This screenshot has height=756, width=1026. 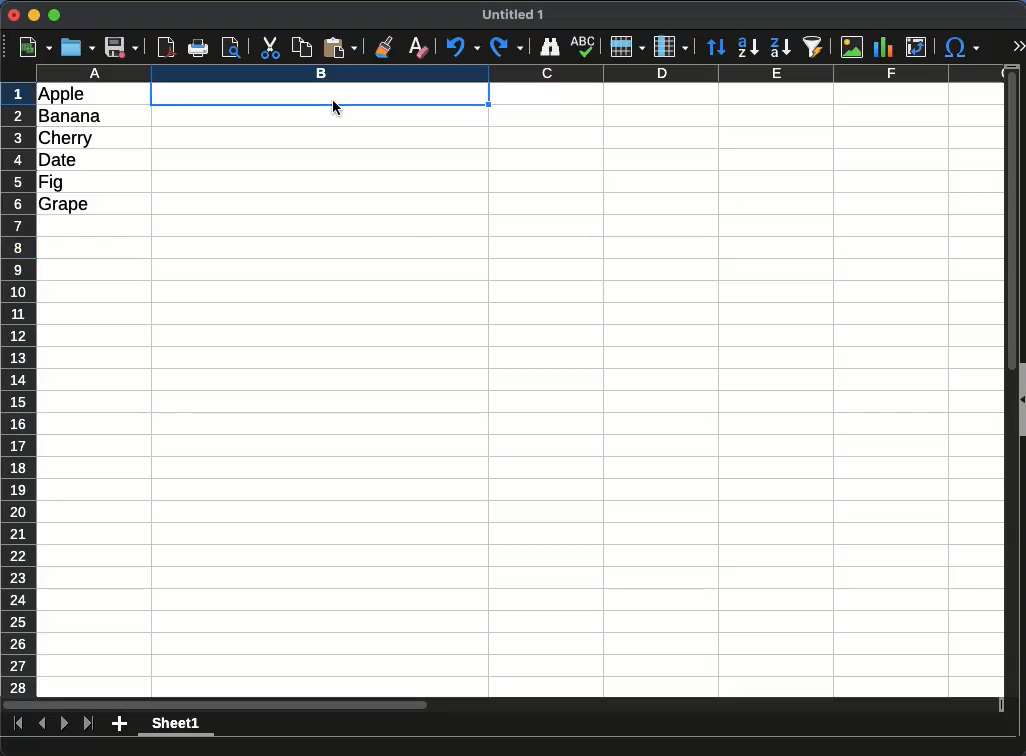 What do you see at coordinates (64, 205) in the screenshot?
I see `grape` at bounding box center [64, 205].